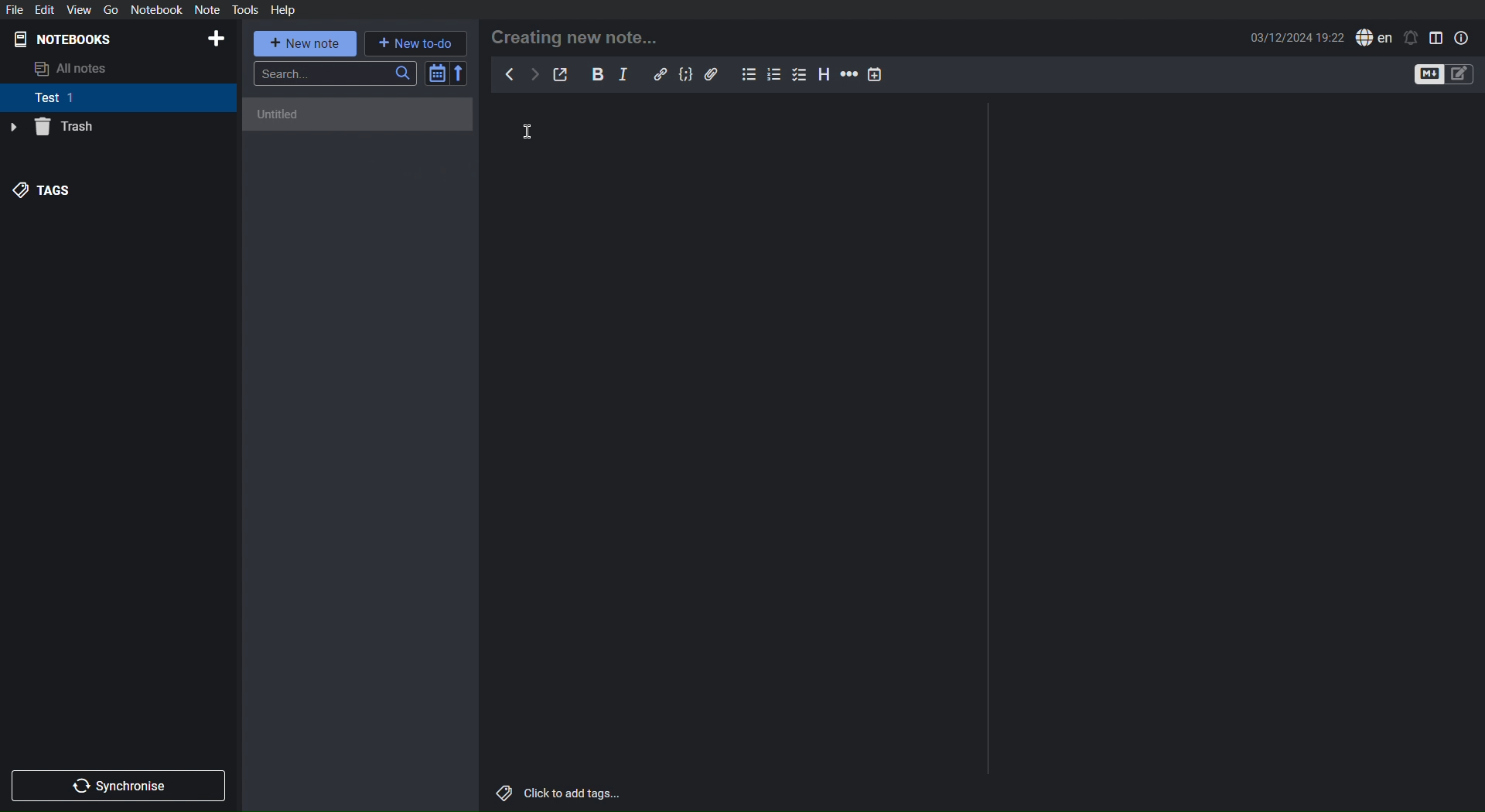 The width and height of the screenshot is (1485, 812). What do you see at coordinates (62, 40) in the screenshot?
I see `Notebooks` at bounding box center [62, 40].